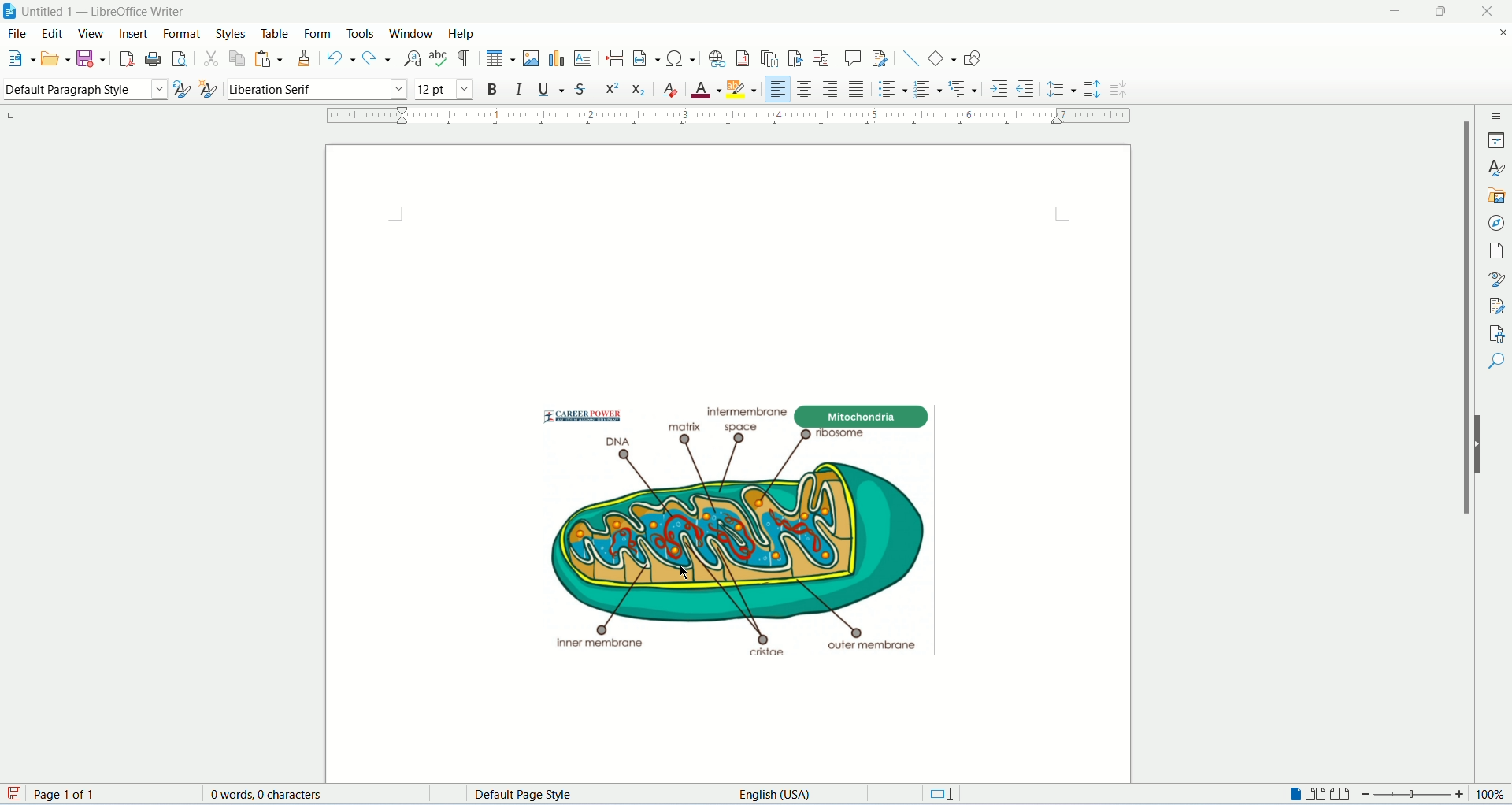  Describe the element at coordinates (962, 90) in the screenshot. I see `outline format` at that location.